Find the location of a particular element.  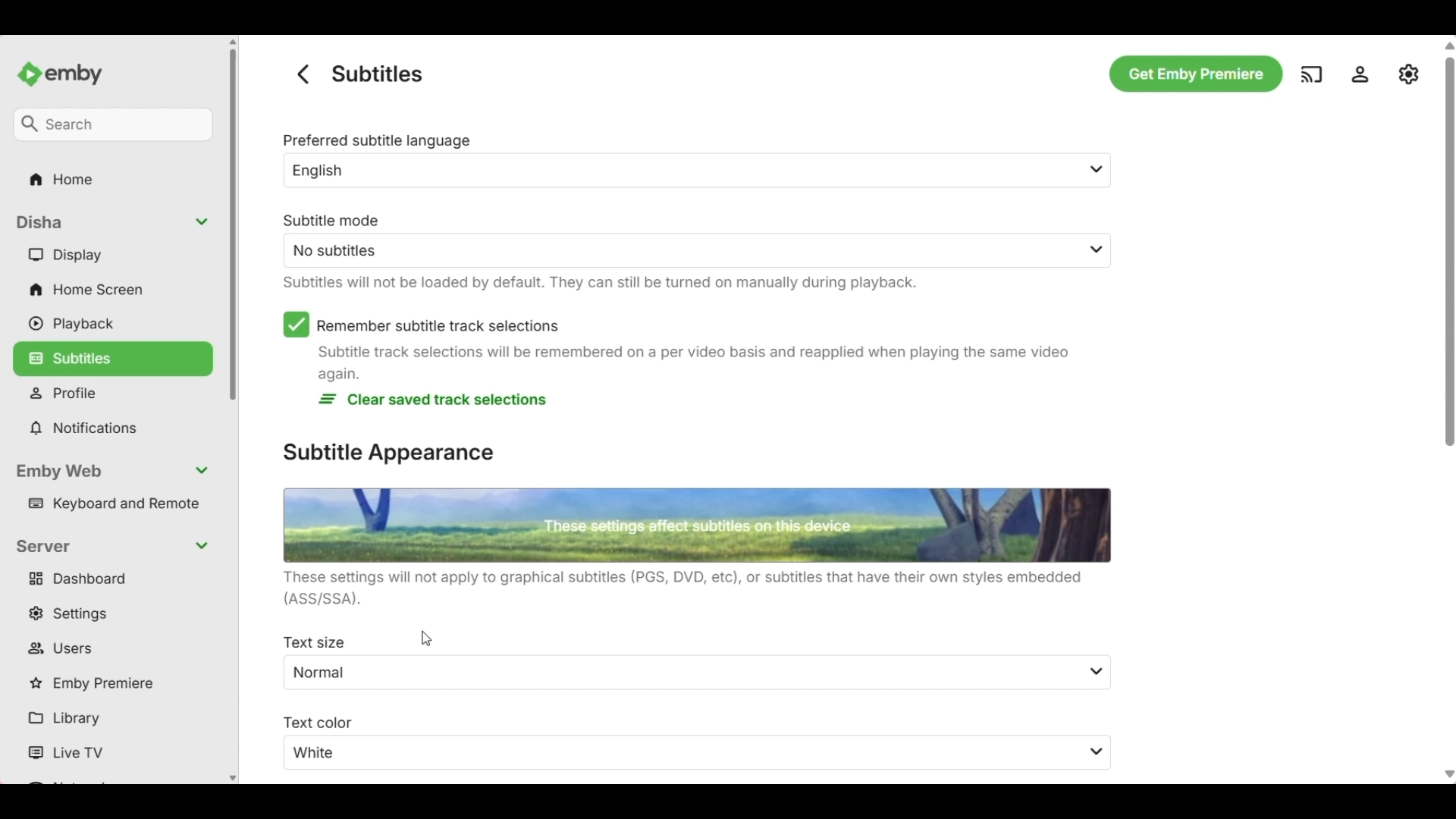

Description of above toggle is located at coordinates (692, 362).